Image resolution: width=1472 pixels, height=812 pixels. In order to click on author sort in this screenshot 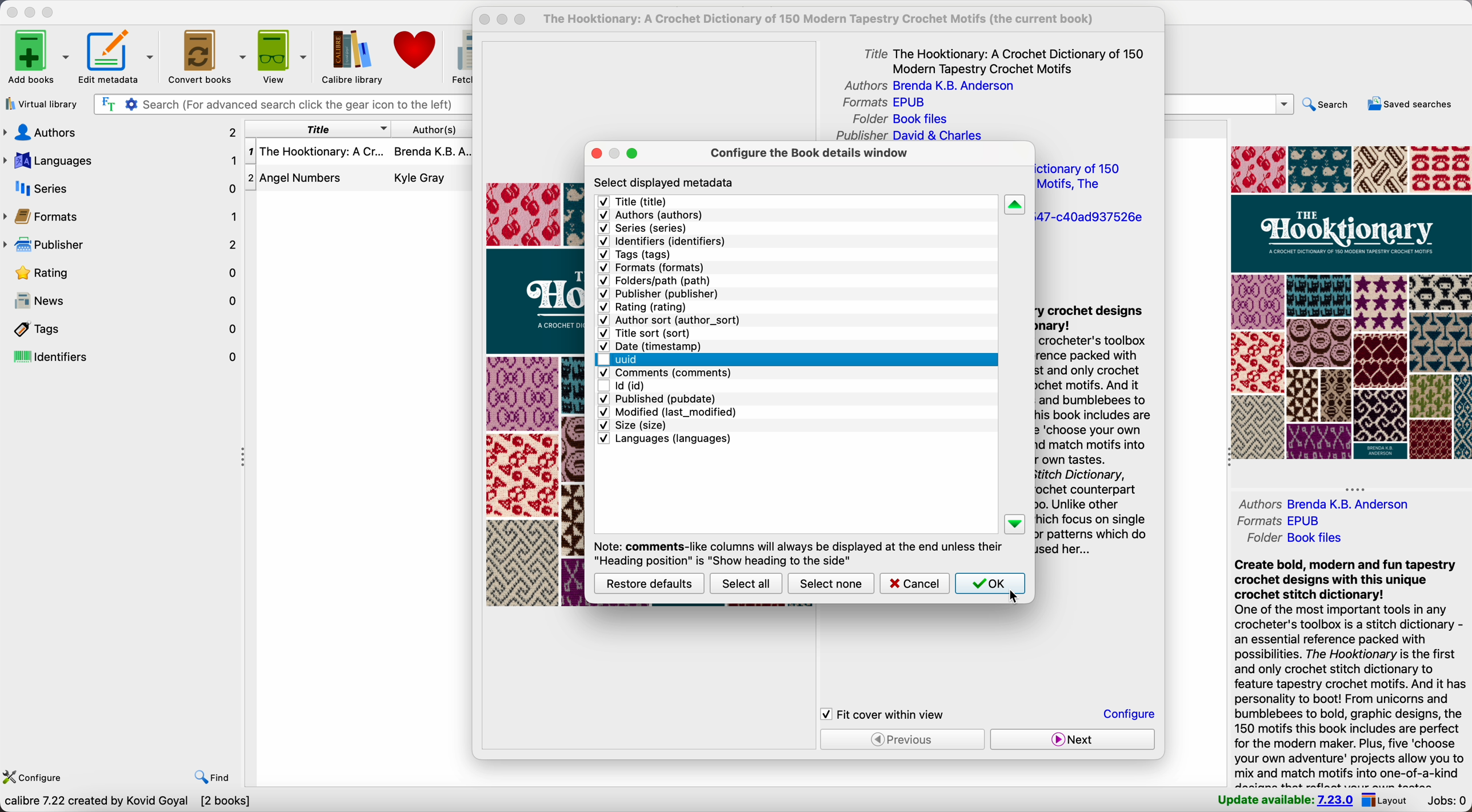, I will do `click(670, 320)`.